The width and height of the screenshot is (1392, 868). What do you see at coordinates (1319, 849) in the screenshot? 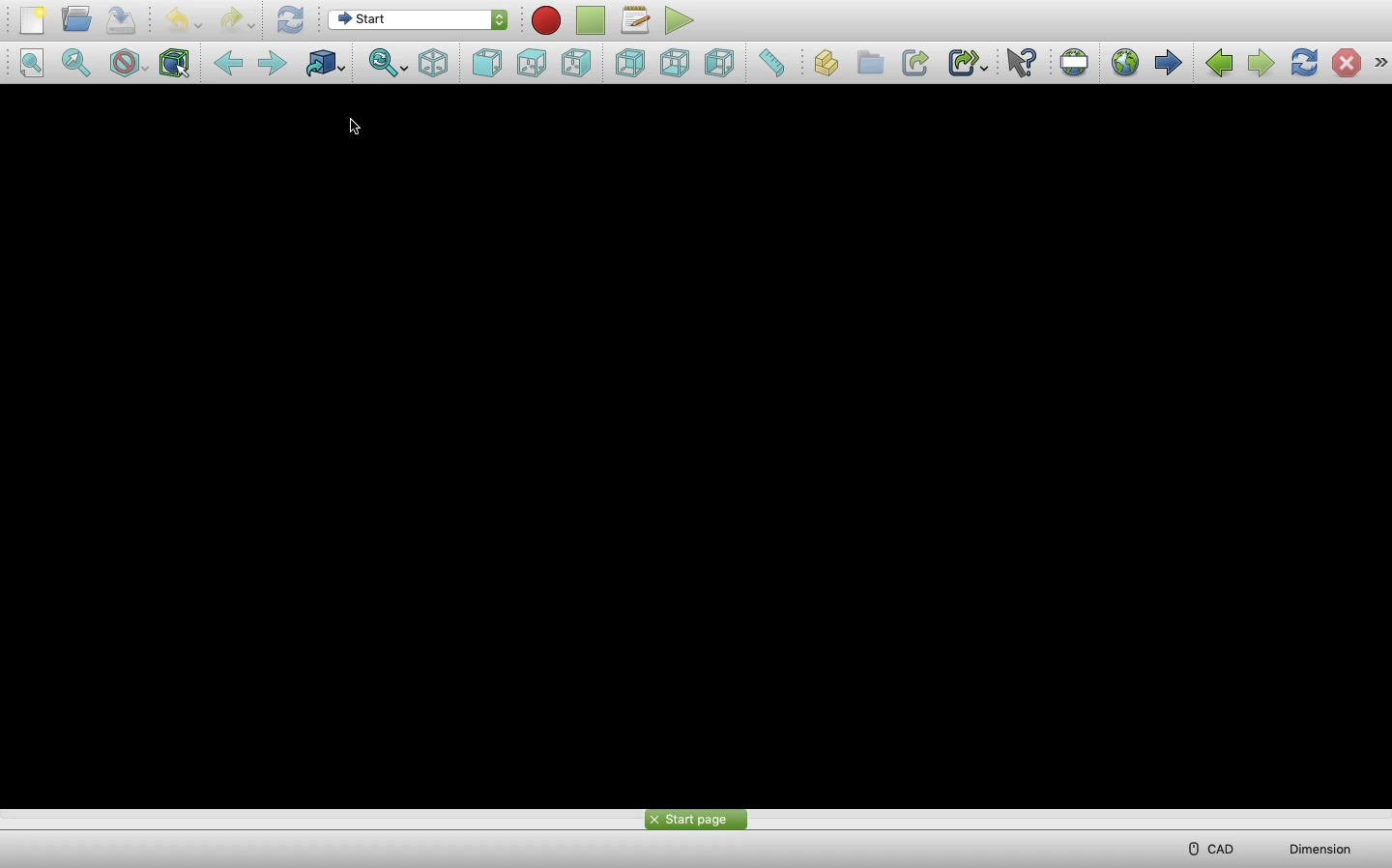
I see `Dimensions` at bounding box center [1319, 849].